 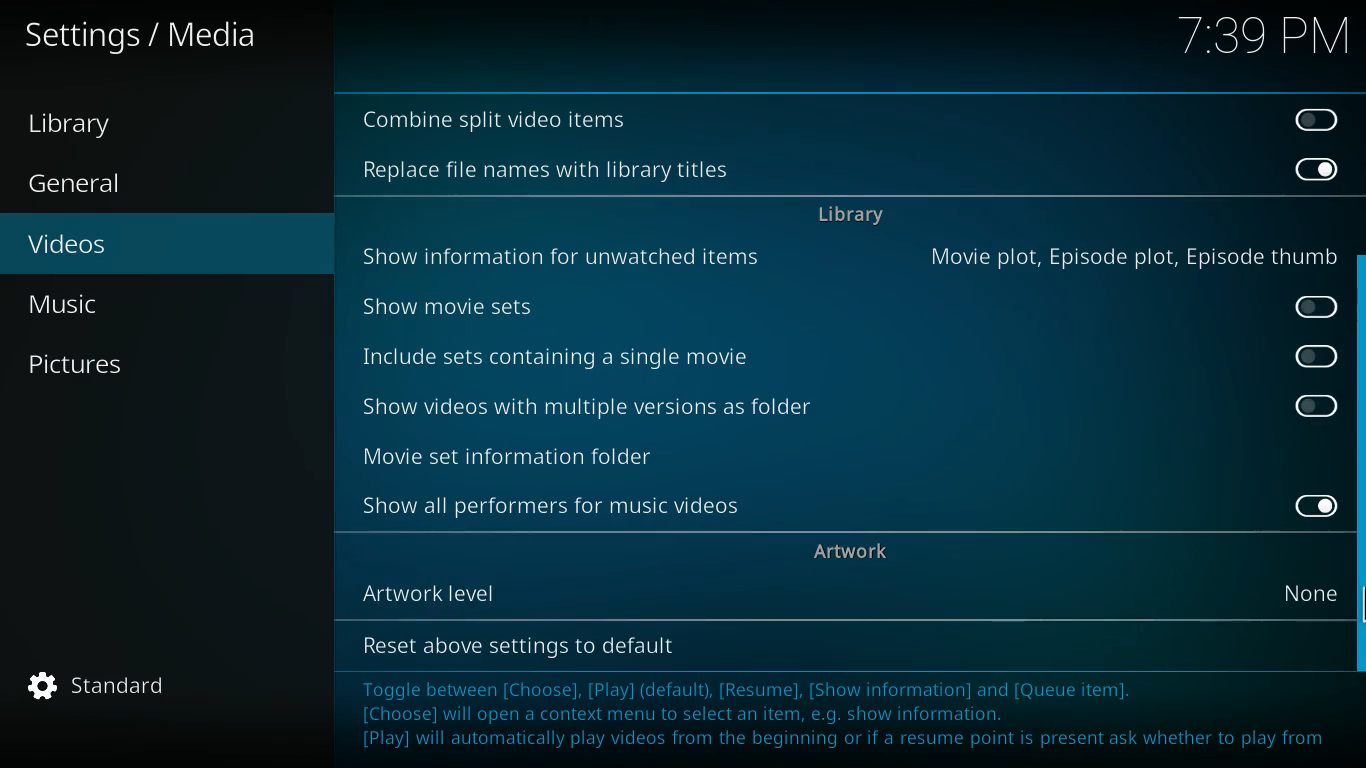 I want to click on movie set information, so click(x=567, y=453).